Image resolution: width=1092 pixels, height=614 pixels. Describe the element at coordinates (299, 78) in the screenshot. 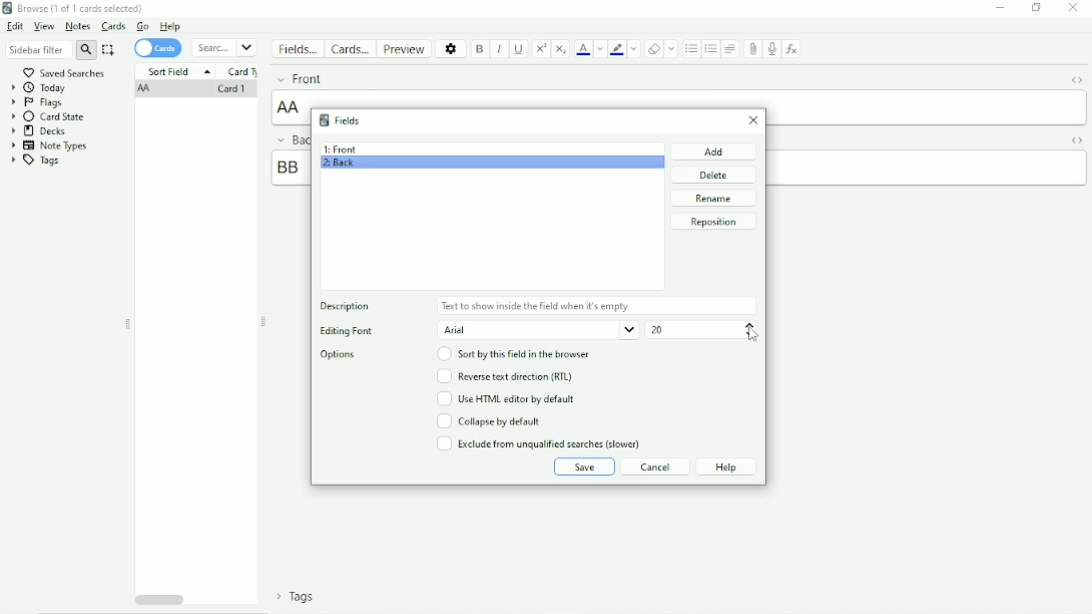

I see `Front` at that location.